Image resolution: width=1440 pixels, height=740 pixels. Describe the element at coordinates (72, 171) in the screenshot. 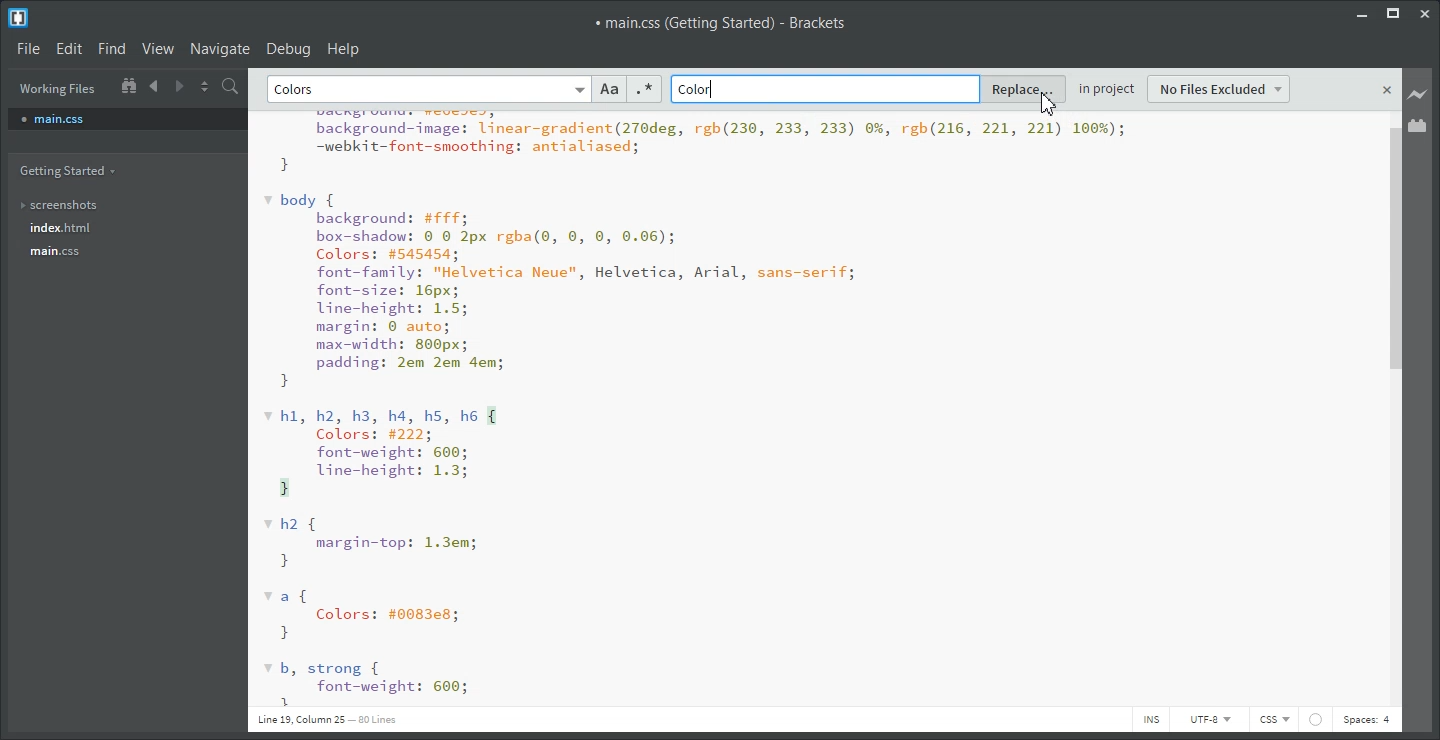

I see `Getting Started` at that location.